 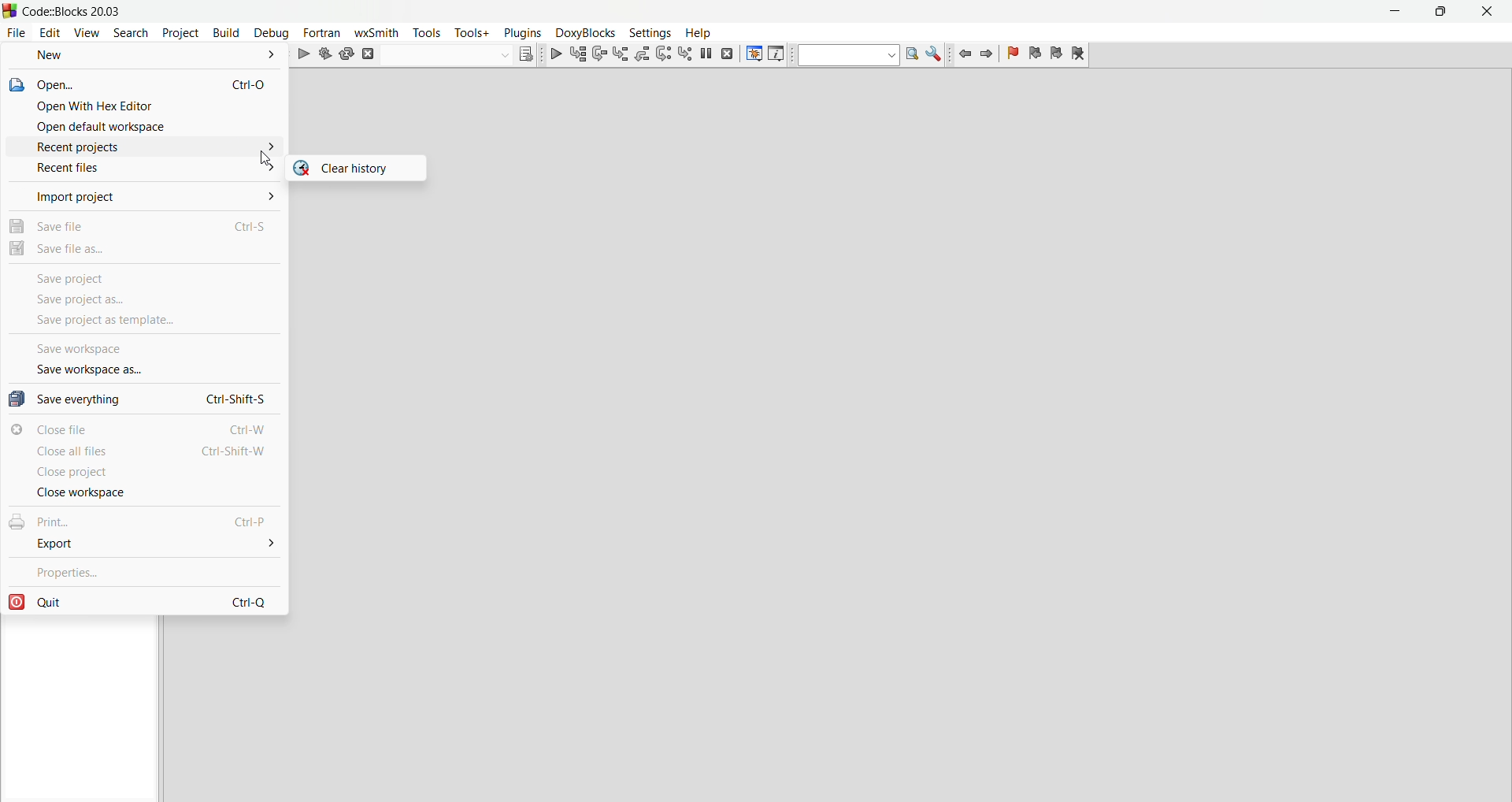 I want to click on plugins, so click(x=520, y=32).